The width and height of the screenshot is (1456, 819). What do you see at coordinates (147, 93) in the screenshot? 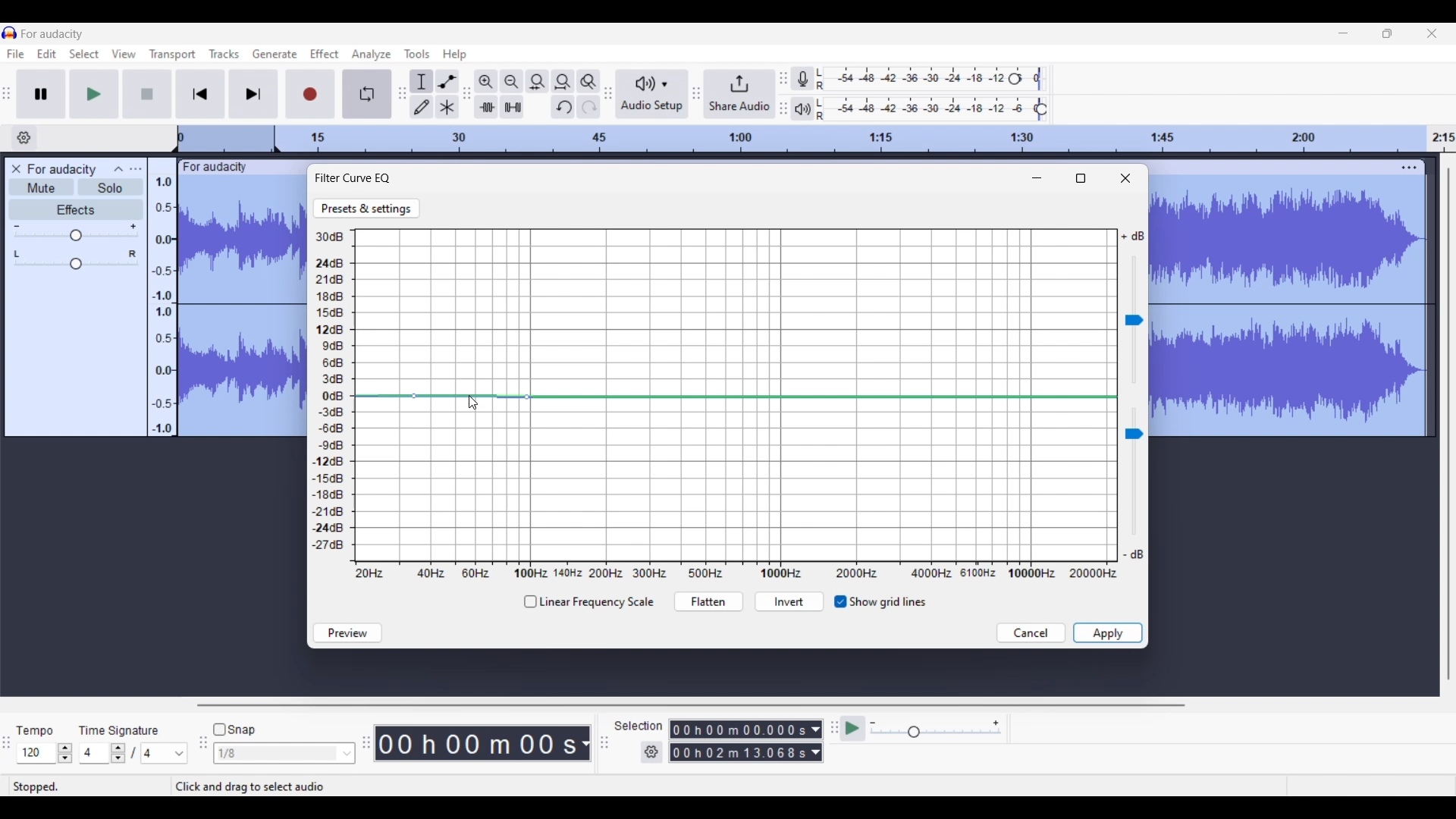
I see `Stop` at bounding box center [147, 93].